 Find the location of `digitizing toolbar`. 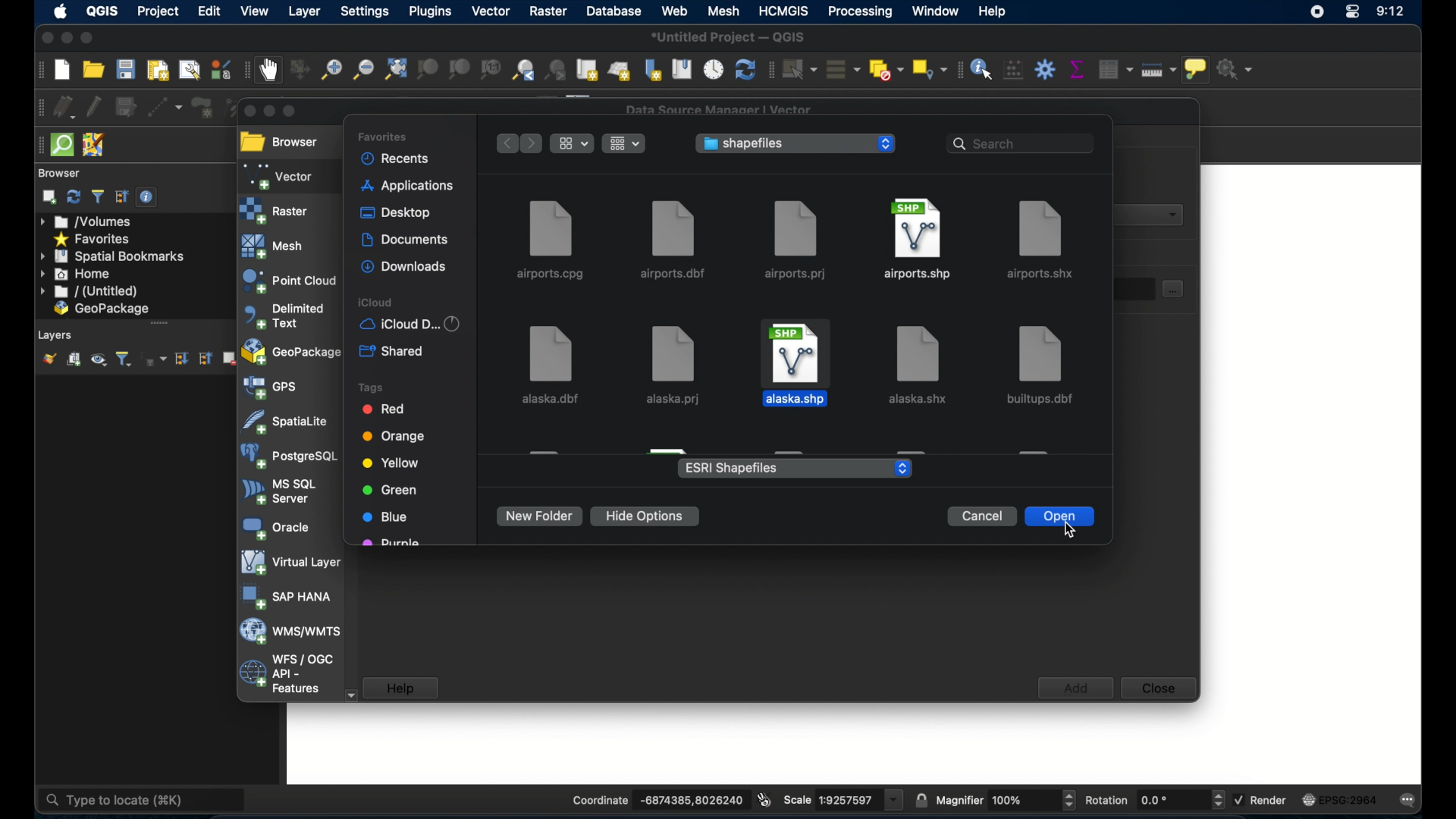

digitizing toolbar is located at coordinates (36, 107).